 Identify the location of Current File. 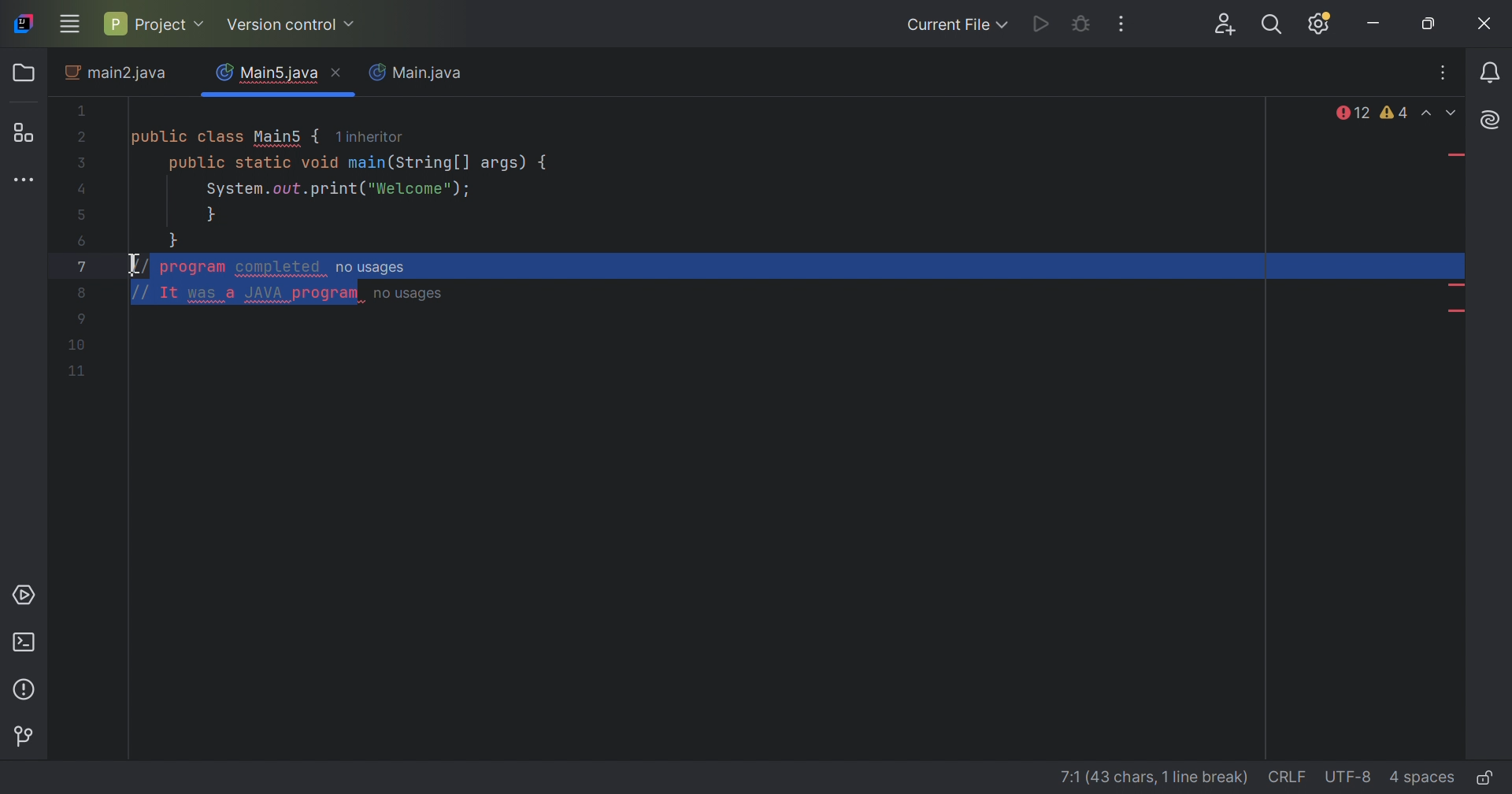
(958, 25).